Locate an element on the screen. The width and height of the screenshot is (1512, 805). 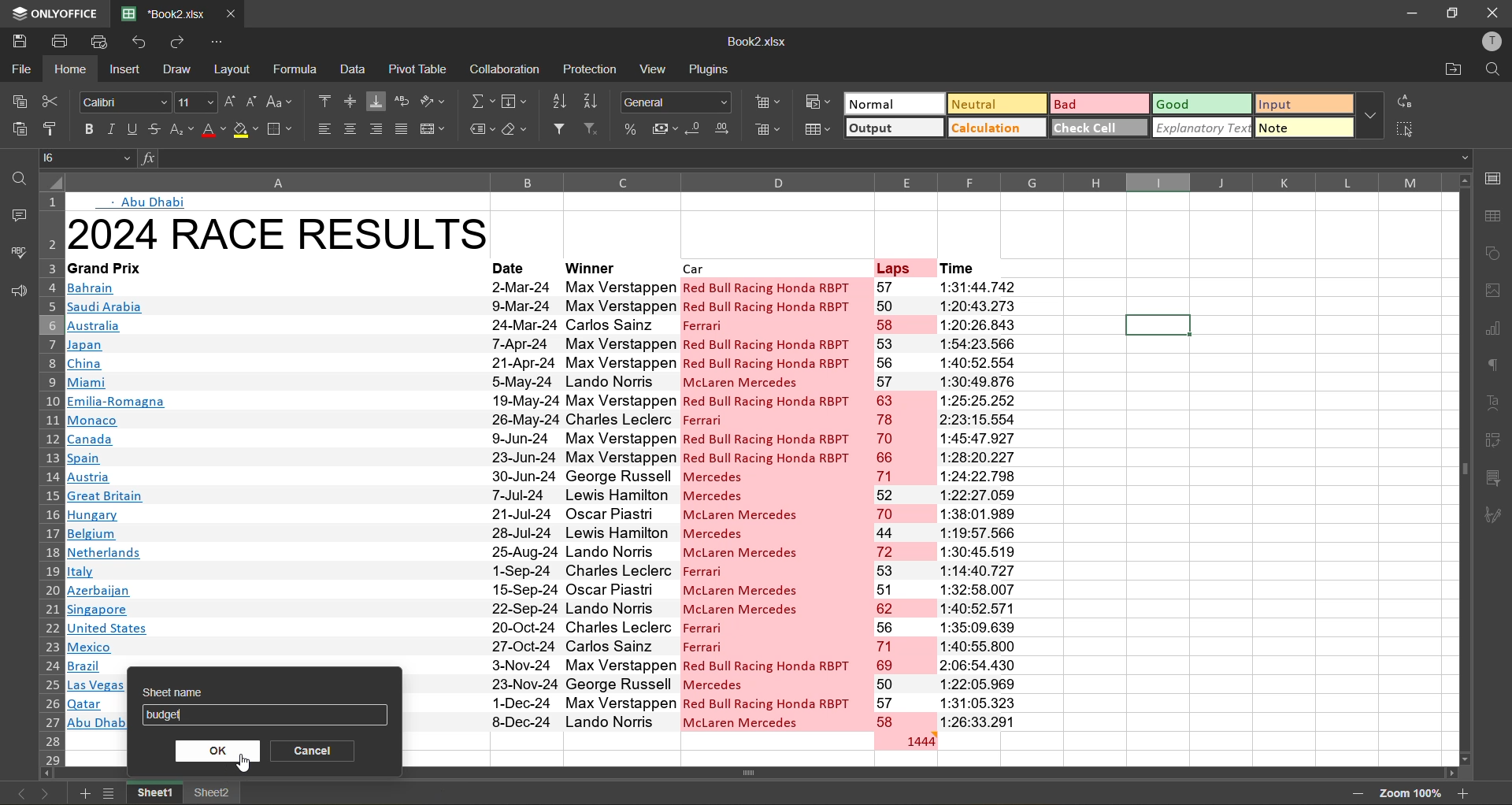
neutral is located at coordinates (995, 106).